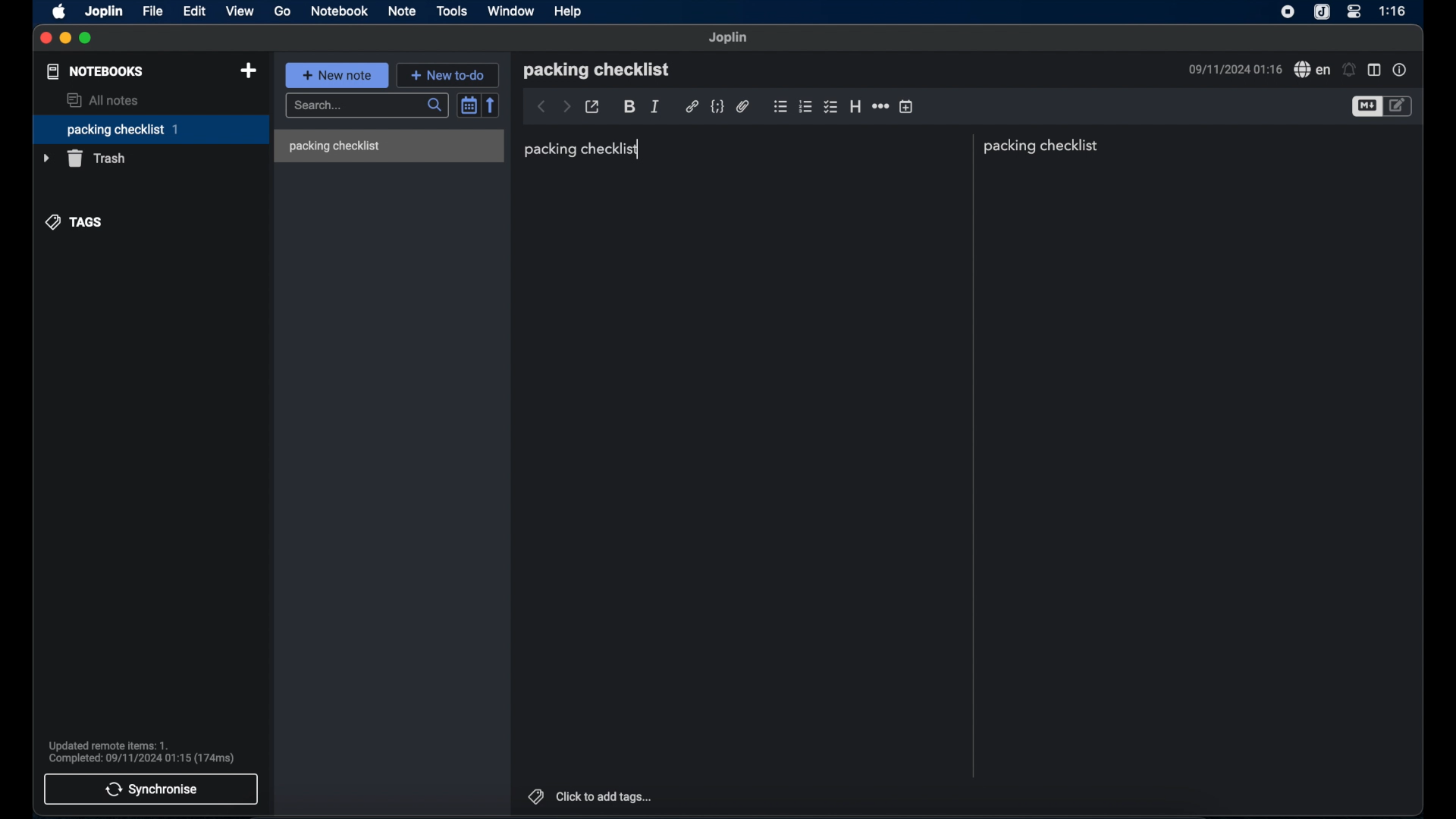 Image resolution: width=1456 pixels, height=819 pixels. What do you see at coordinates (491, 105) in the screenshot?
I see `reverse sort order` at bounding box center [491, 105].